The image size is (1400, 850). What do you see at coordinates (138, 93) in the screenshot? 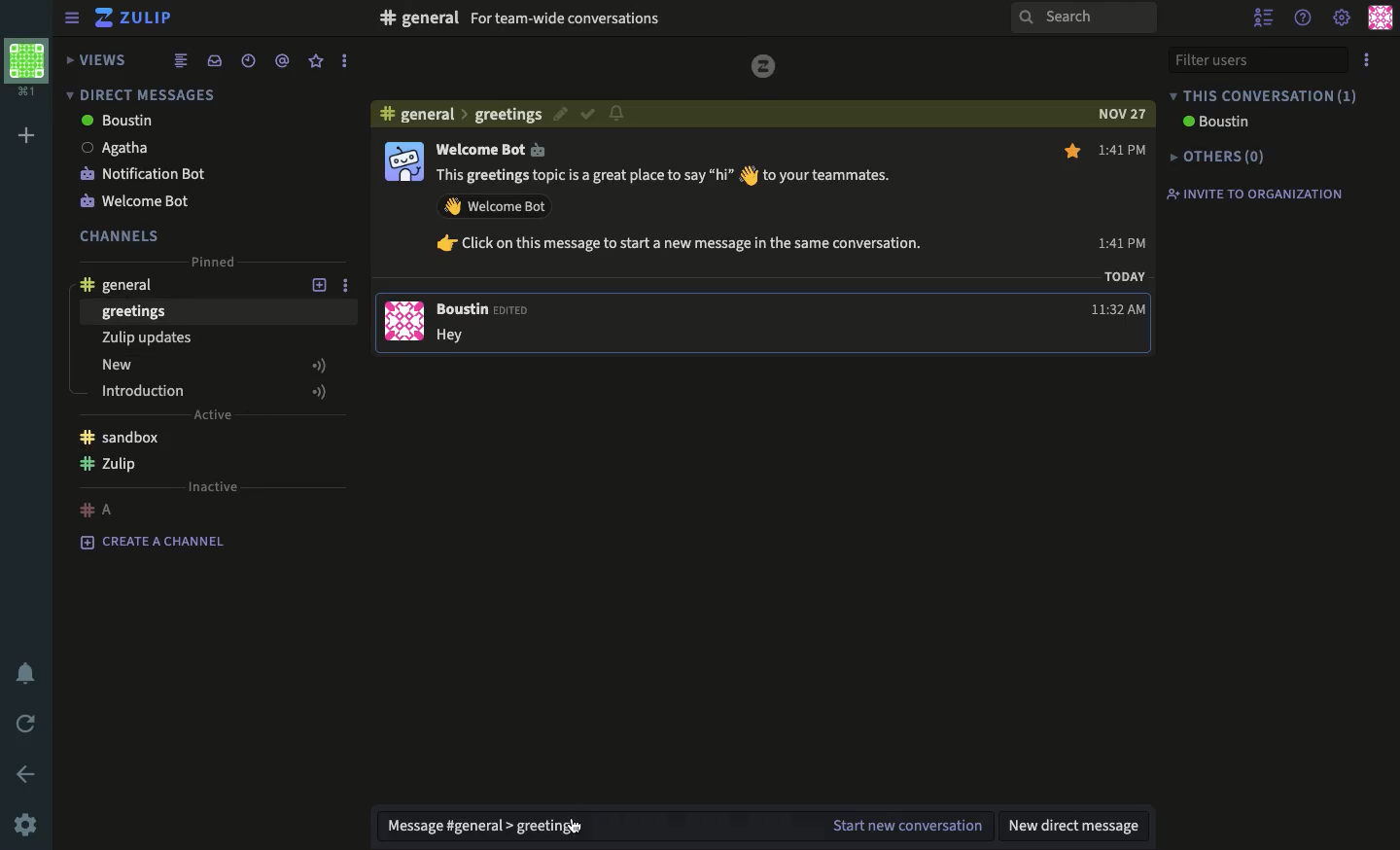
I see `direct message` at bounding box center [138, 93].